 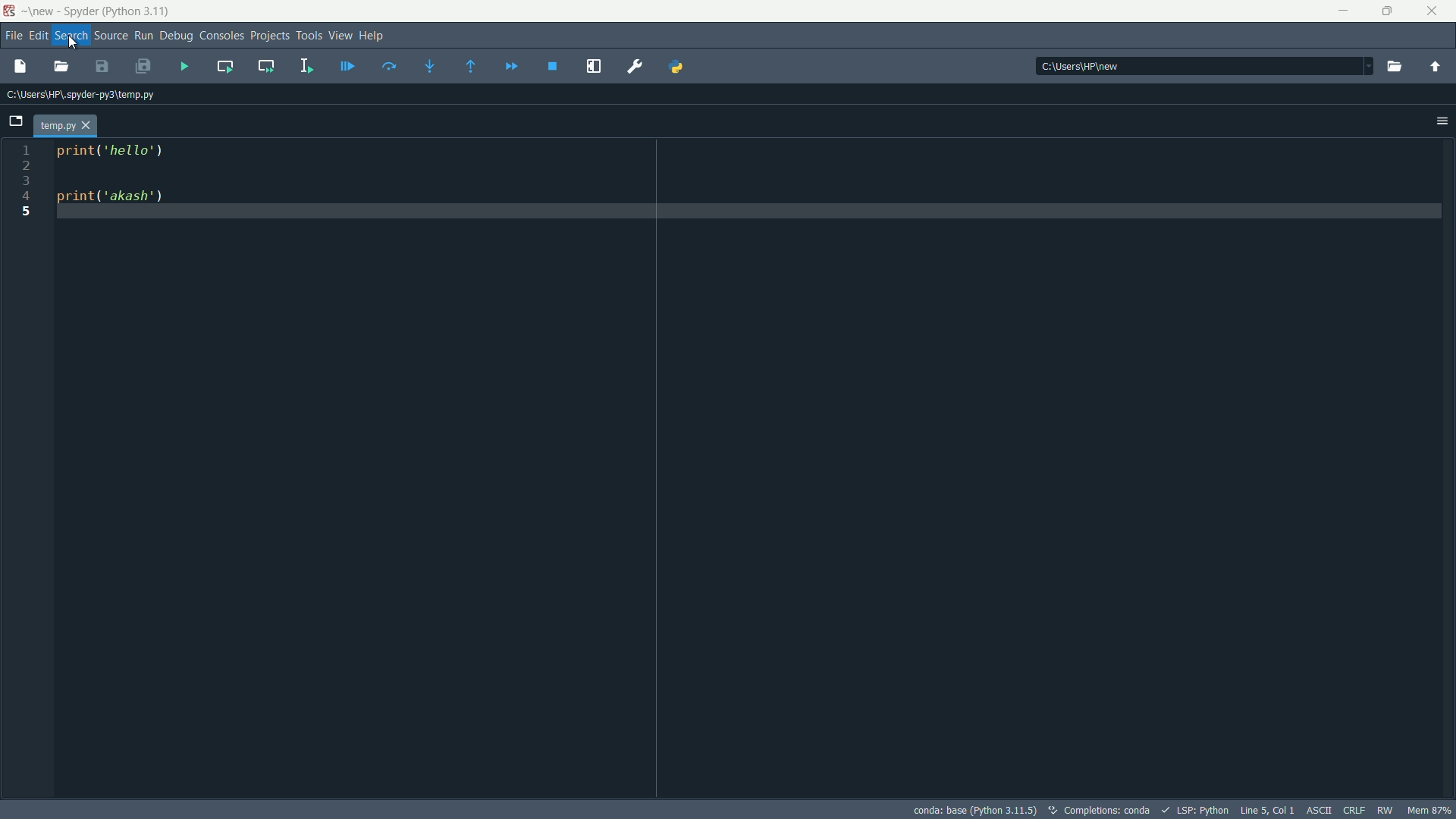 I want to click on memory usage, so click(x=1429, y=810).